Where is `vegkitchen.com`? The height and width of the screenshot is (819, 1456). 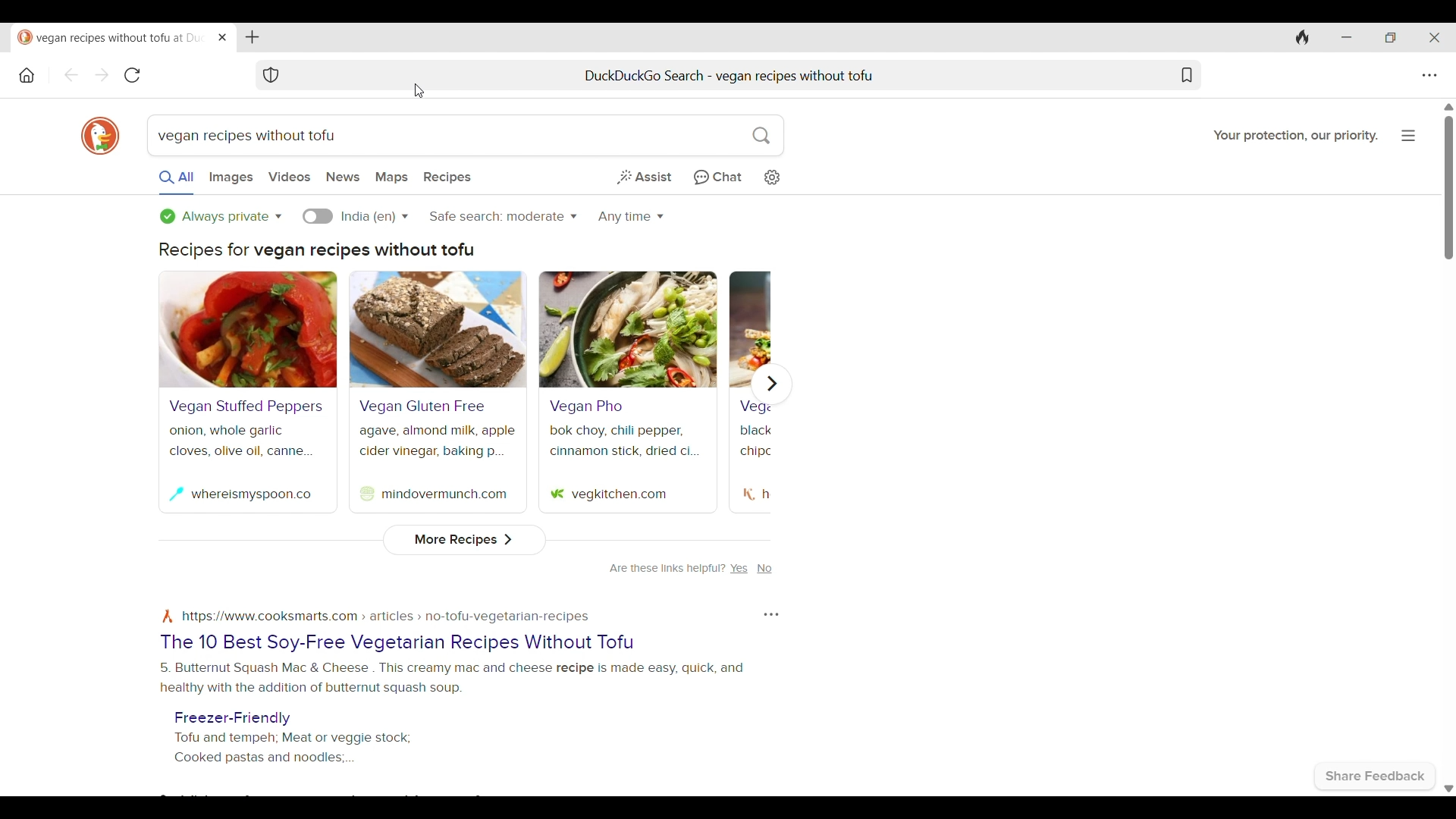
vegkitchen.com is located at coordinates (619, 496).